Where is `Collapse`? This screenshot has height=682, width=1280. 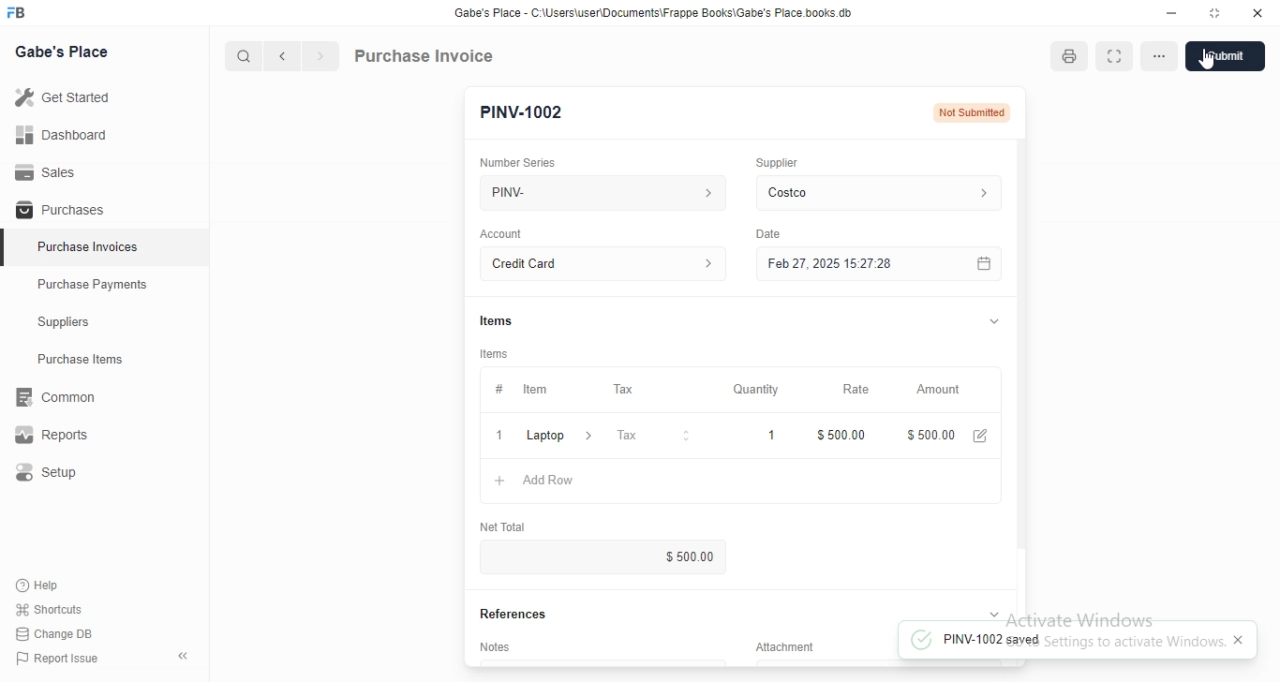
Collapse is located at coordinates (183, 656).